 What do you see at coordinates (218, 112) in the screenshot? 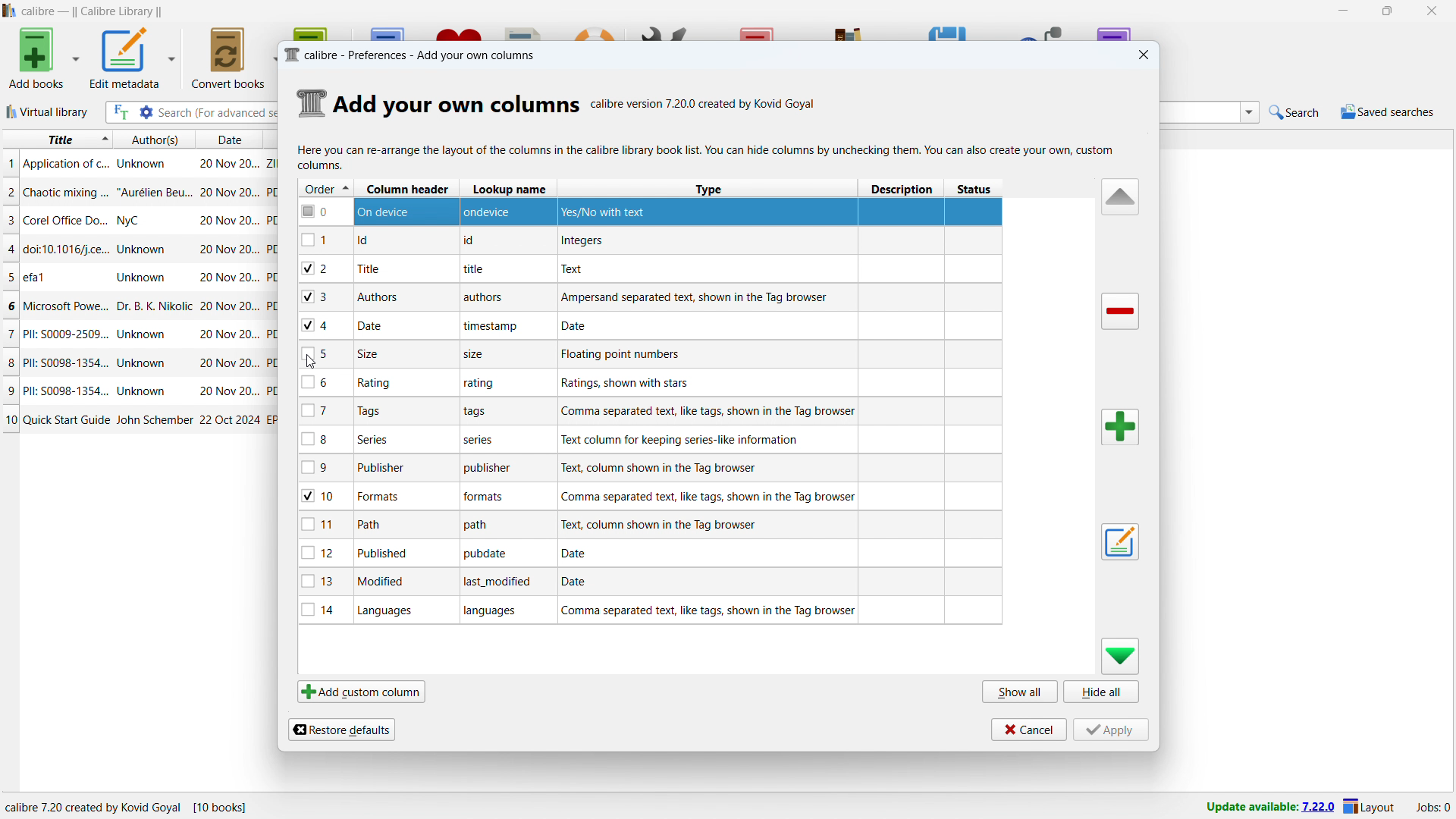
I see `search bar` at bounding box center [218, 112].